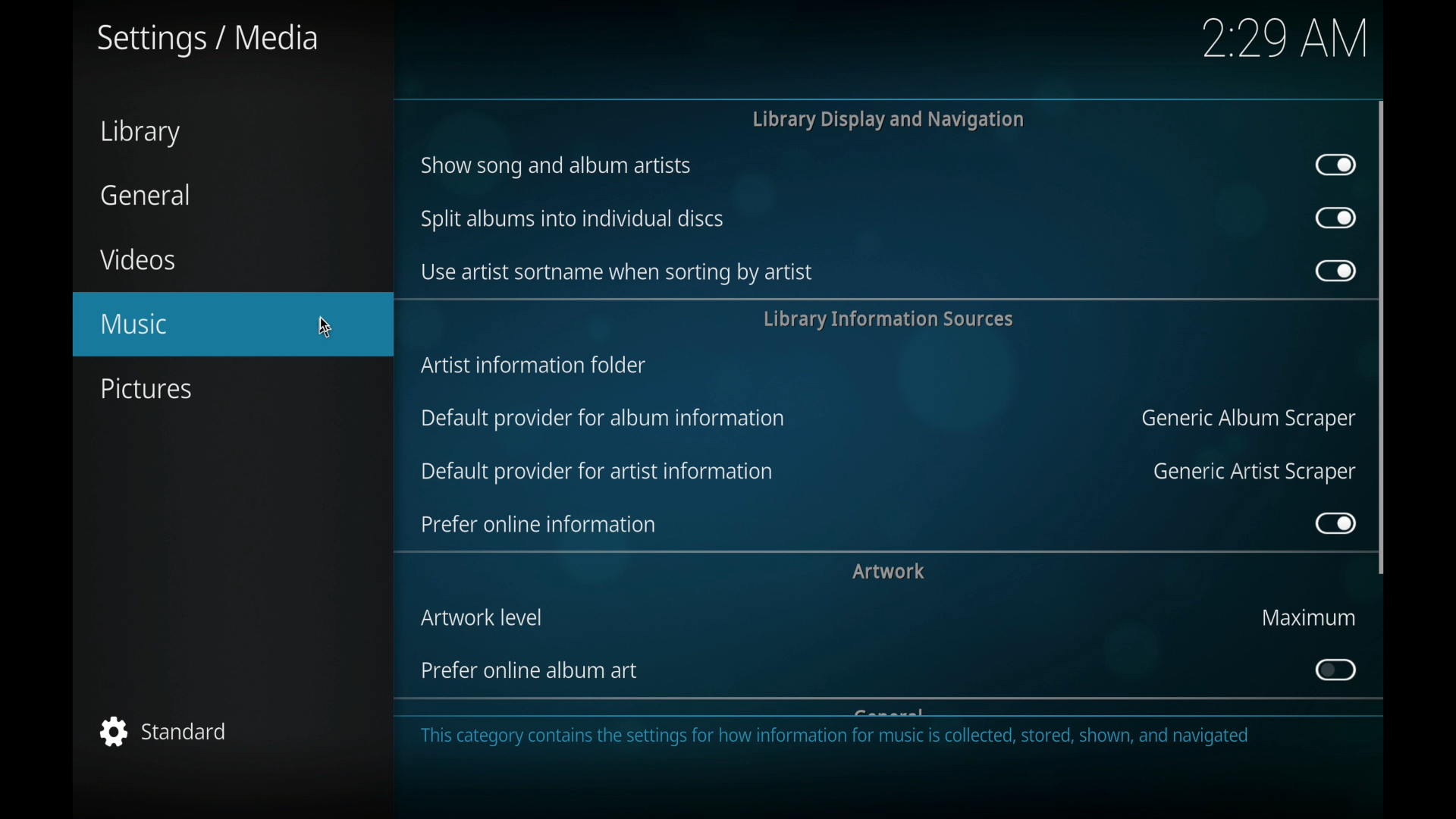  I want to click on pictures, so click(145, 388).